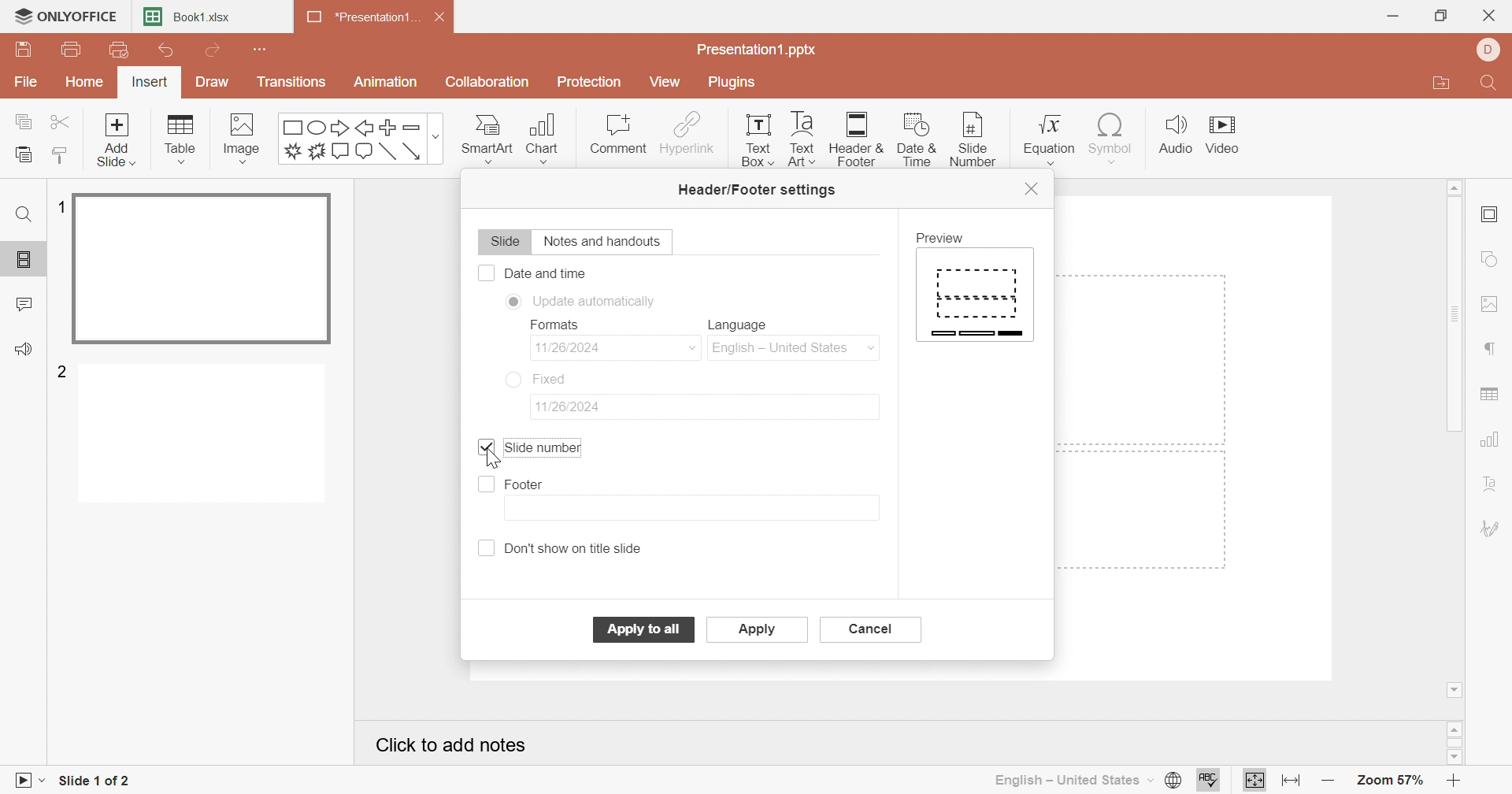 The image size is (1512, 794). What do you see at coordinates (976, 296) in the screenshot?
I see `Preview` at bounding box center [976, 296].